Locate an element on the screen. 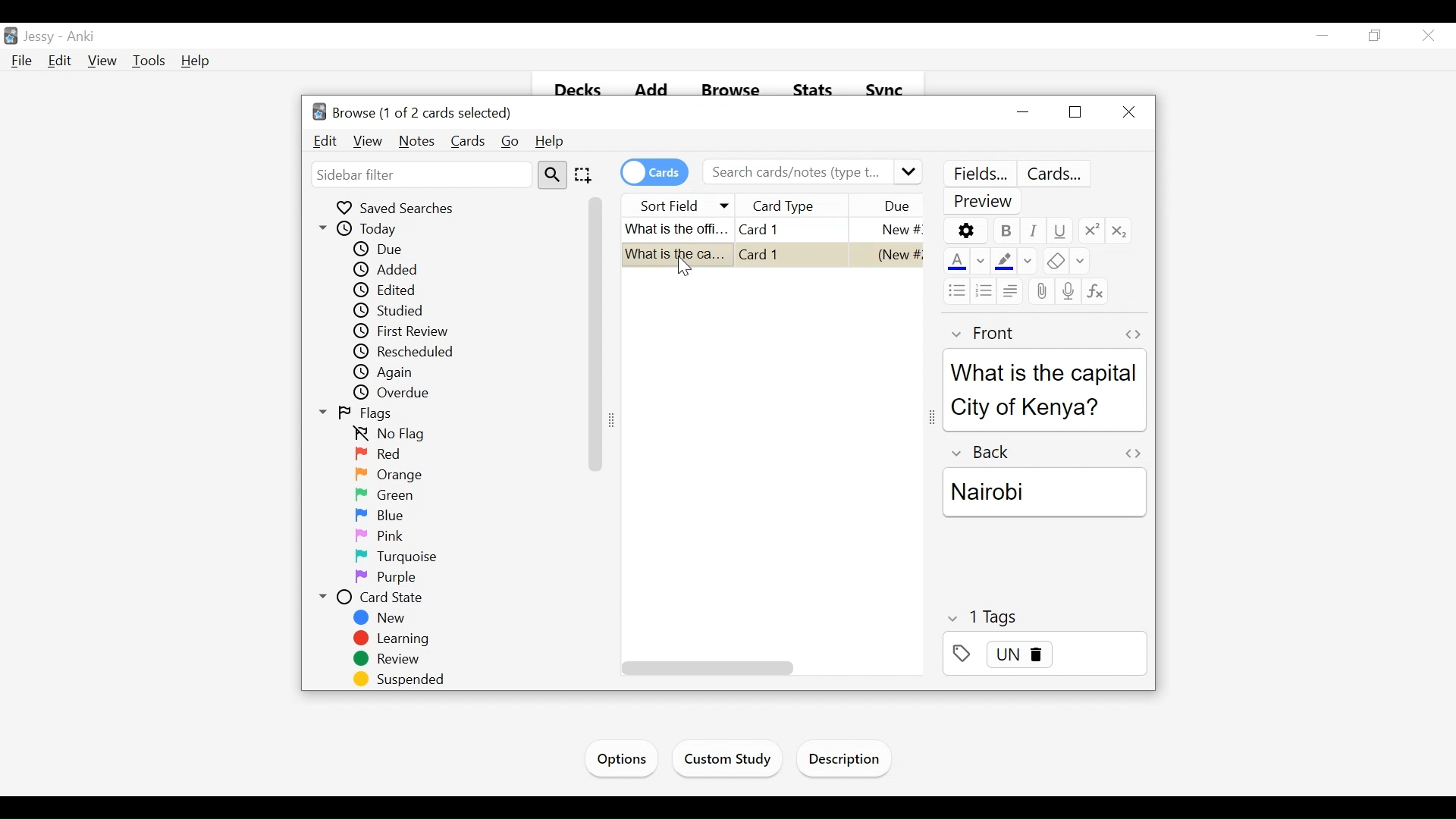 The height and width of the screenshot is (819, 1456). Bold is located at coordinates (1005, 231).